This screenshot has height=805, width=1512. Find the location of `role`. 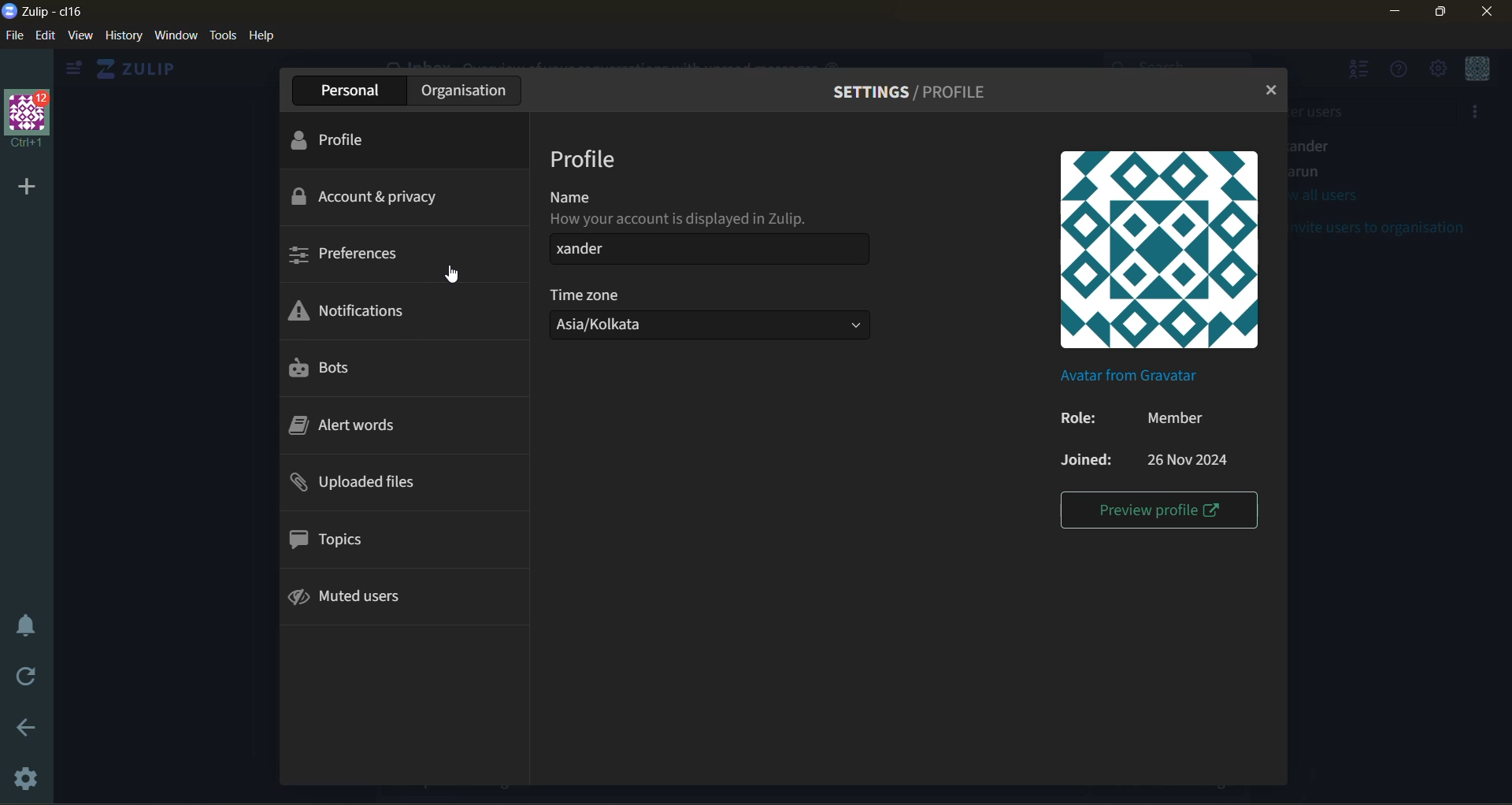

role is located at coordinates (1139, 419).